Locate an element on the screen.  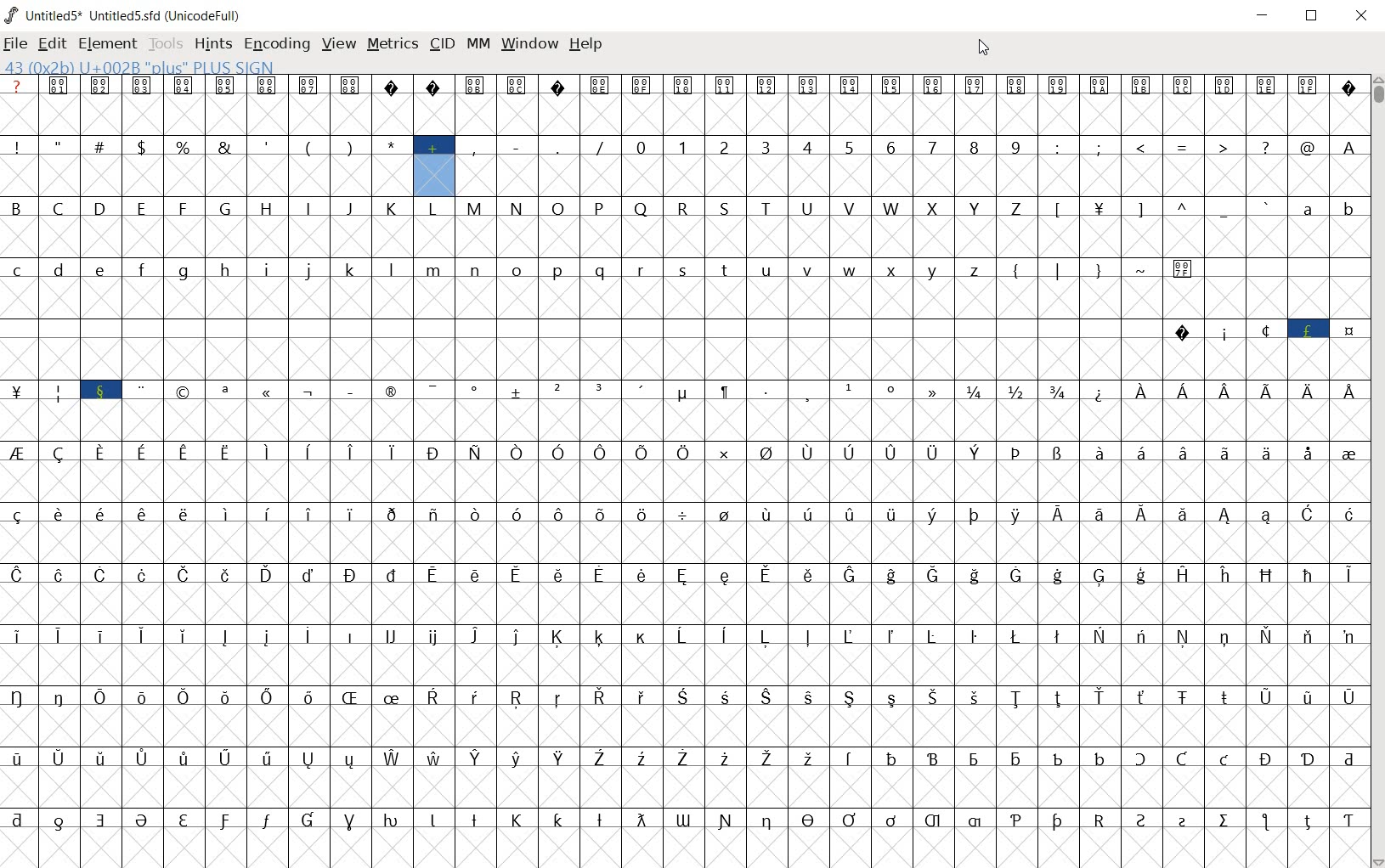
scrollbar is located at coordinates (1377, 471).